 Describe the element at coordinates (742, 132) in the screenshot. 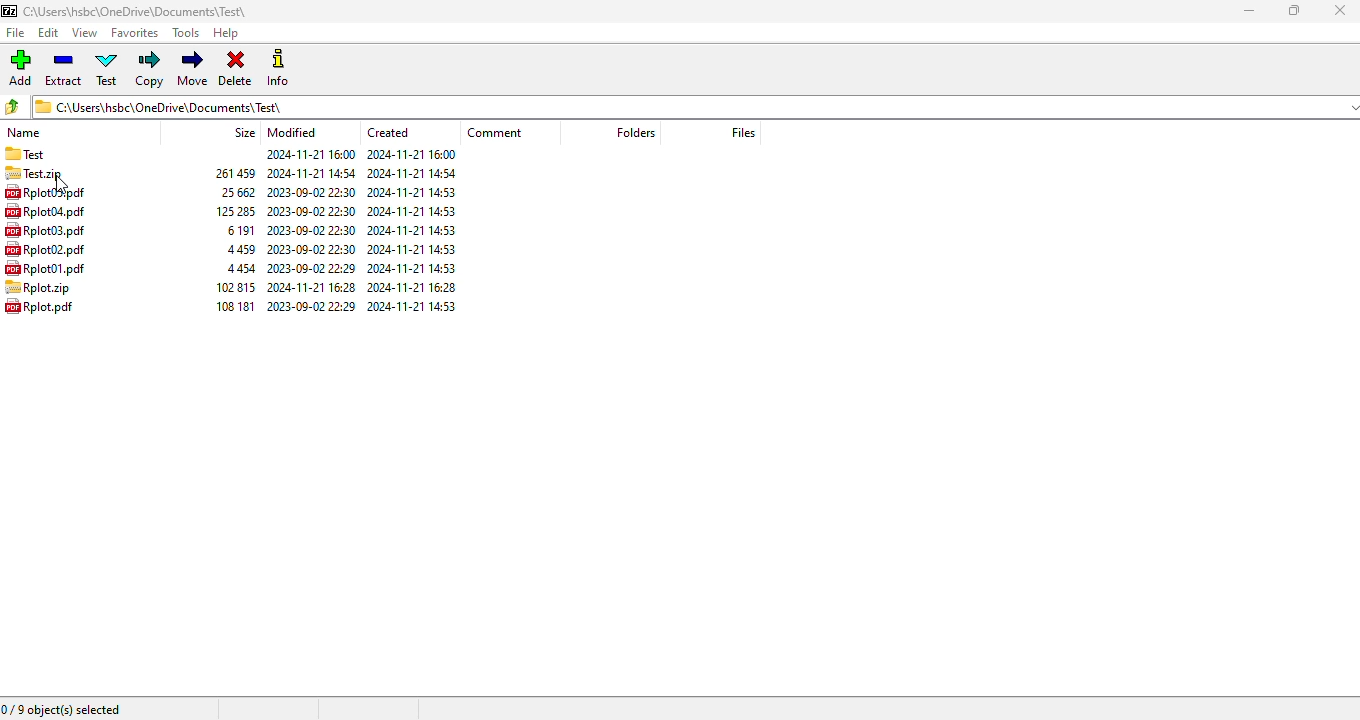

I see `files` at that location.